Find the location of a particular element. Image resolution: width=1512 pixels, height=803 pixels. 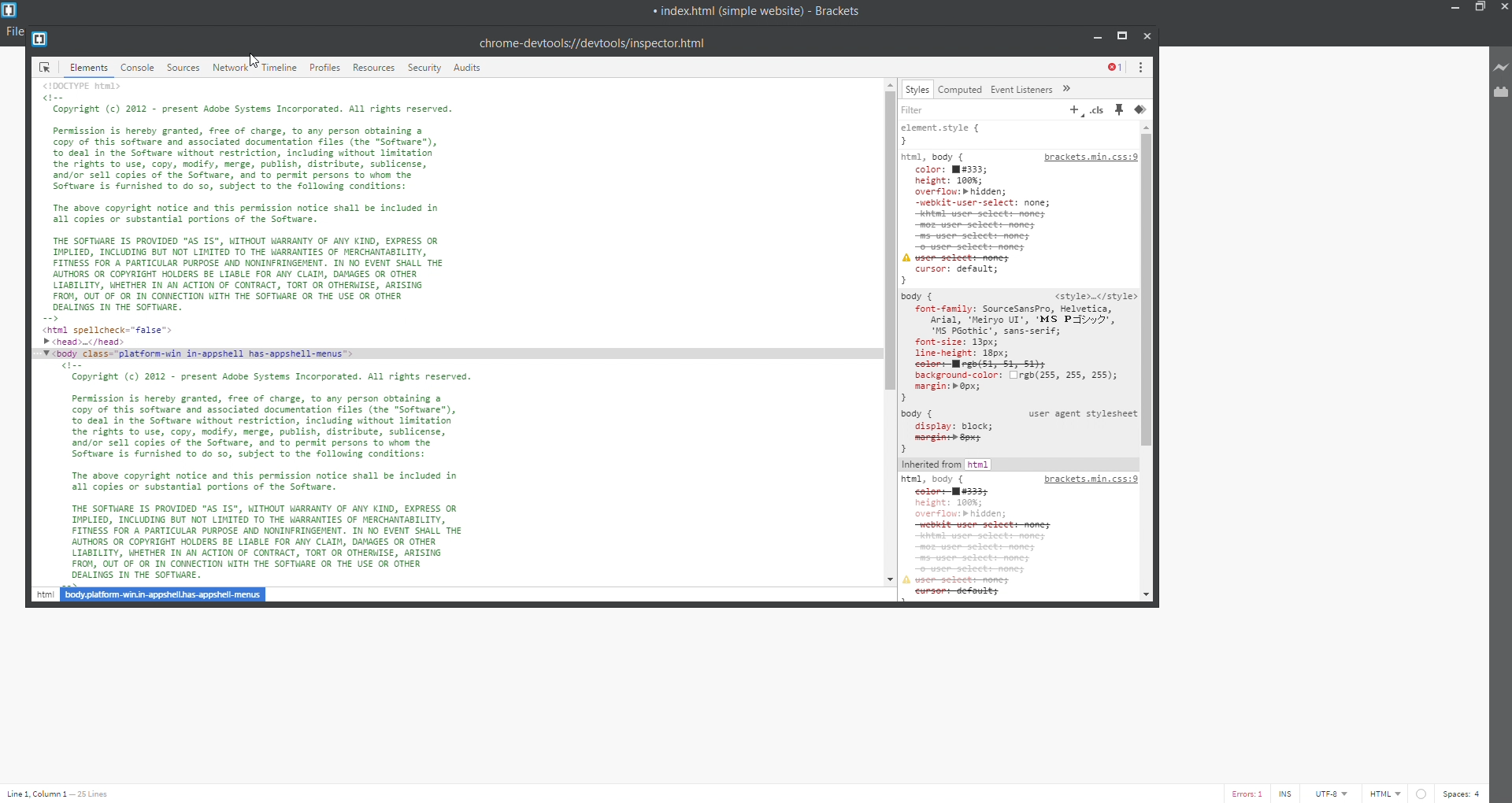

extension manager is located at coordinates (1499, 98).